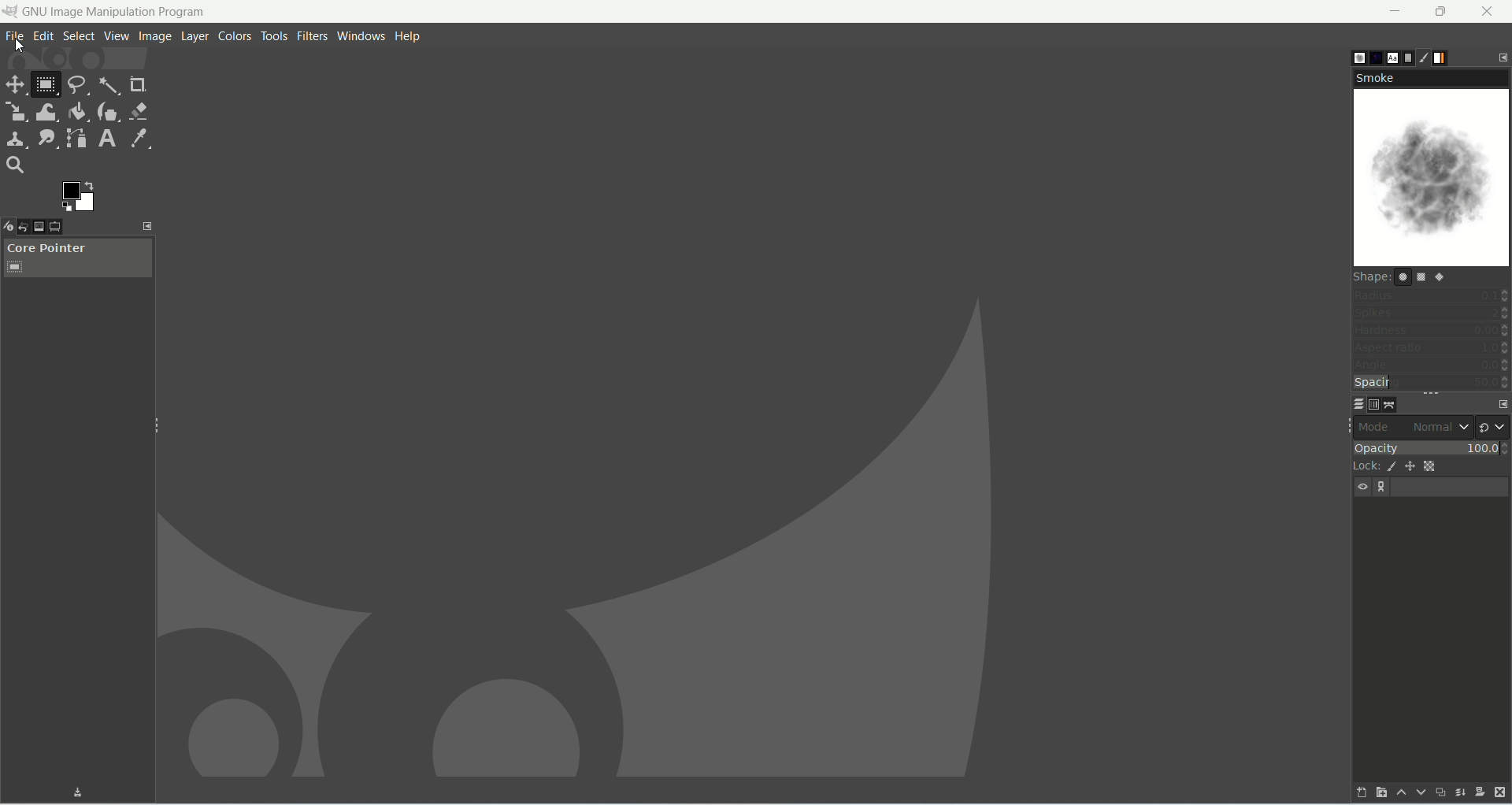 The image size is (1512, 805). Describe the element at coordinates (1480, 791) in the screenshot. I see `add a mask` at that location.